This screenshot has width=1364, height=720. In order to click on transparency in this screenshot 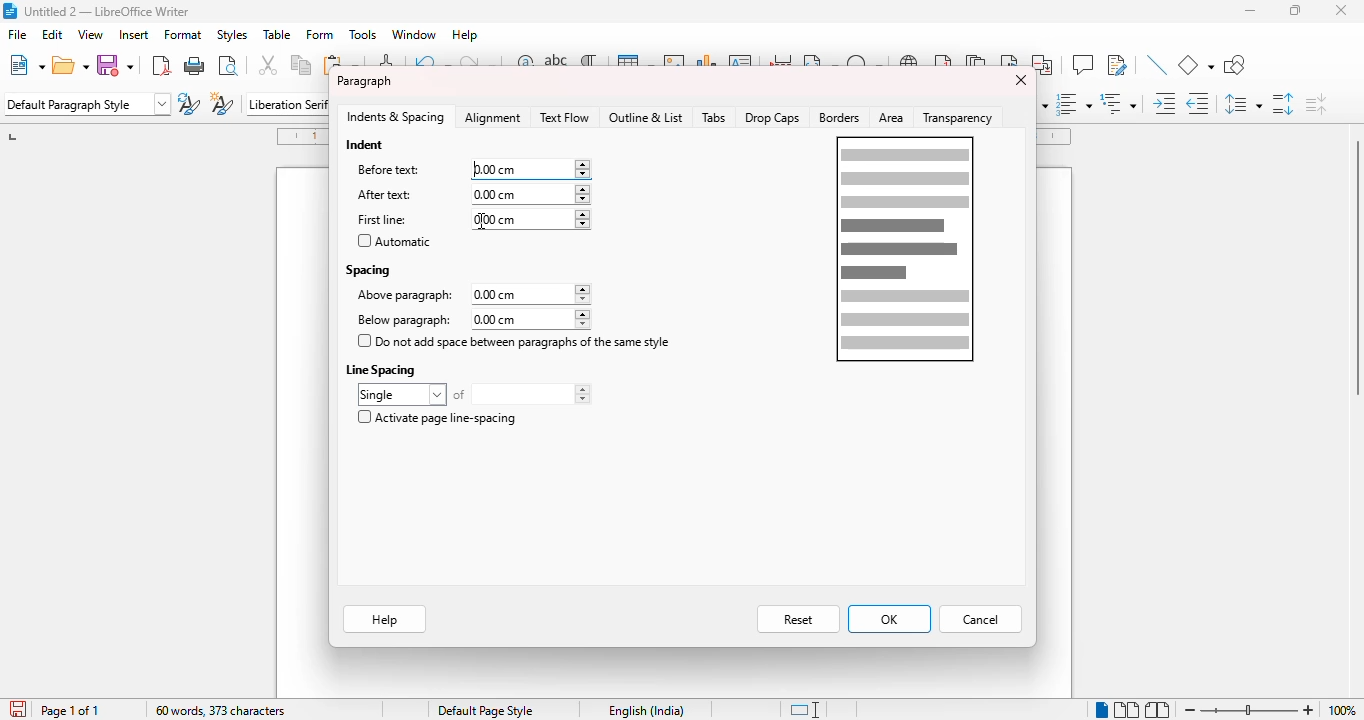, I will do `click(961, 117)`.